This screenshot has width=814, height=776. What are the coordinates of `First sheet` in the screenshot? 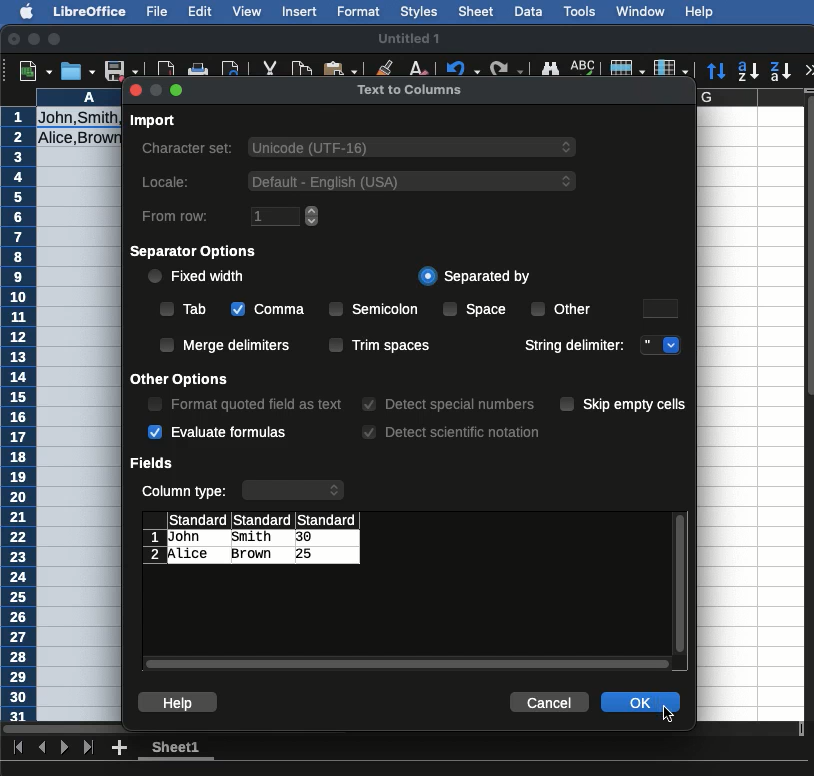 It's located at (20, 747).